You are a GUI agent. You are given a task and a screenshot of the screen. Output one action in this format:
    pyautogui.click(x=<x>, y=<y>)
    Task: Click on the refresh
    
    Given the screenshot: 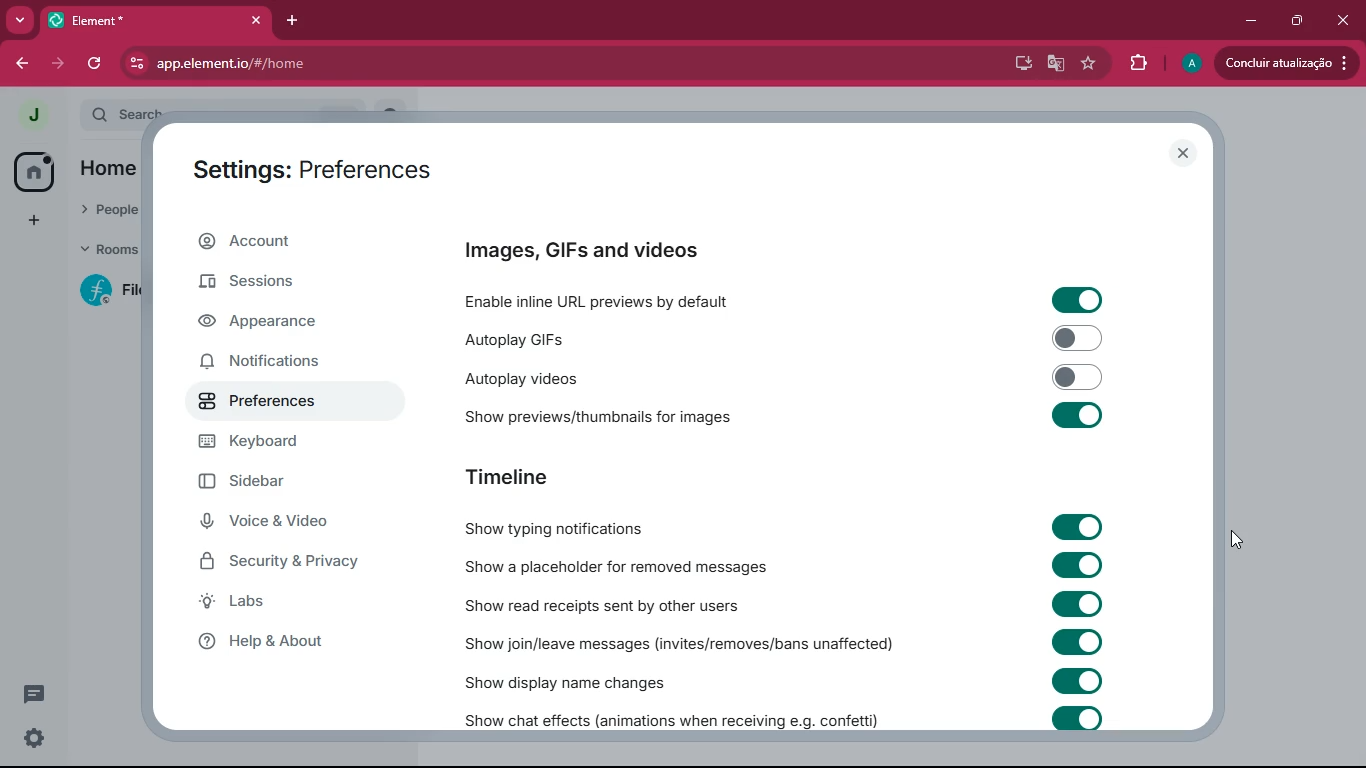 What is the action you would take?
    pyautogui.click(x=96, y=64)
    